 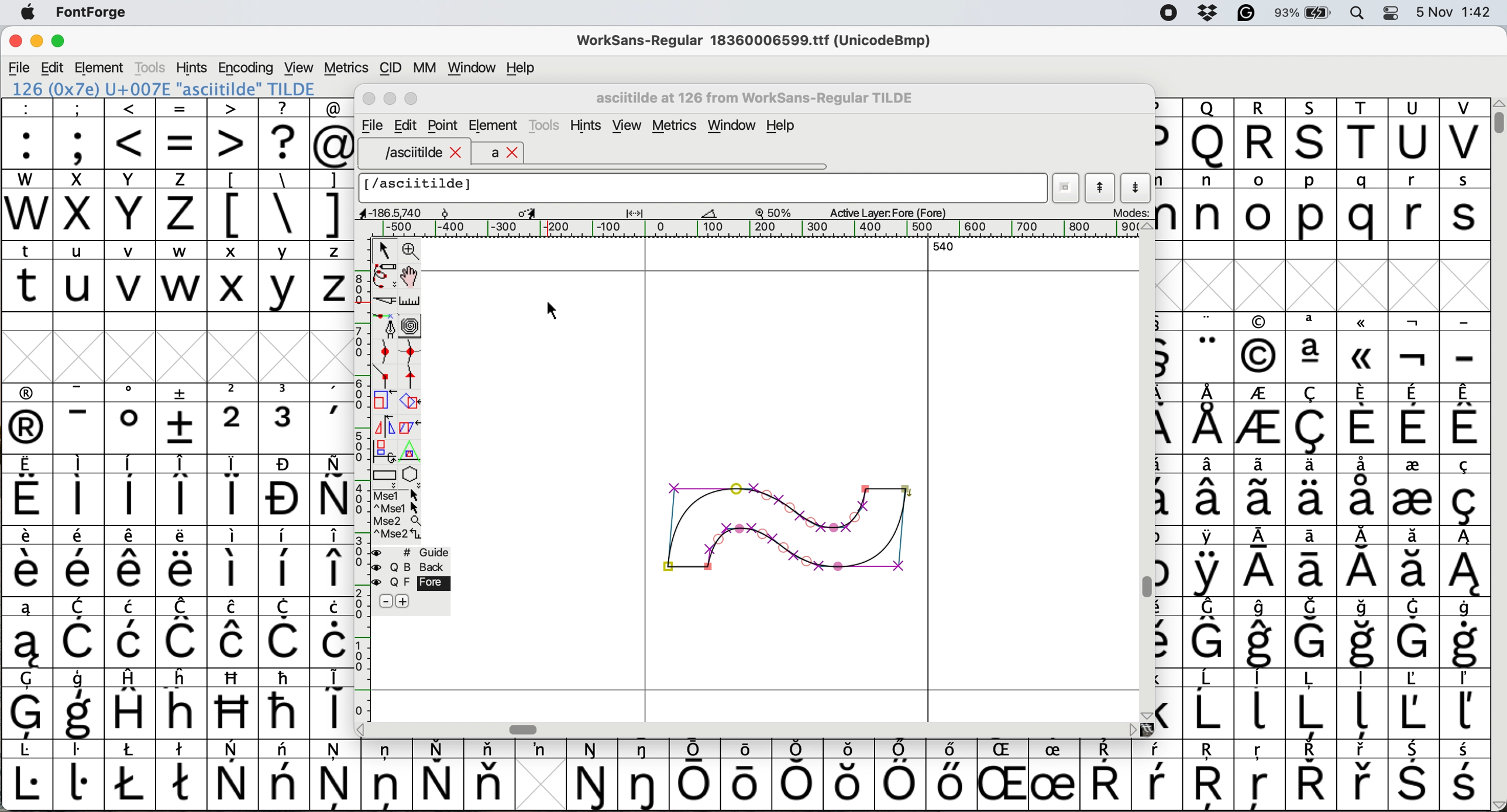 What do you see at coordinates (336, 774) in the screenshot?
I see `symbol` at bounding box center [336, 774].